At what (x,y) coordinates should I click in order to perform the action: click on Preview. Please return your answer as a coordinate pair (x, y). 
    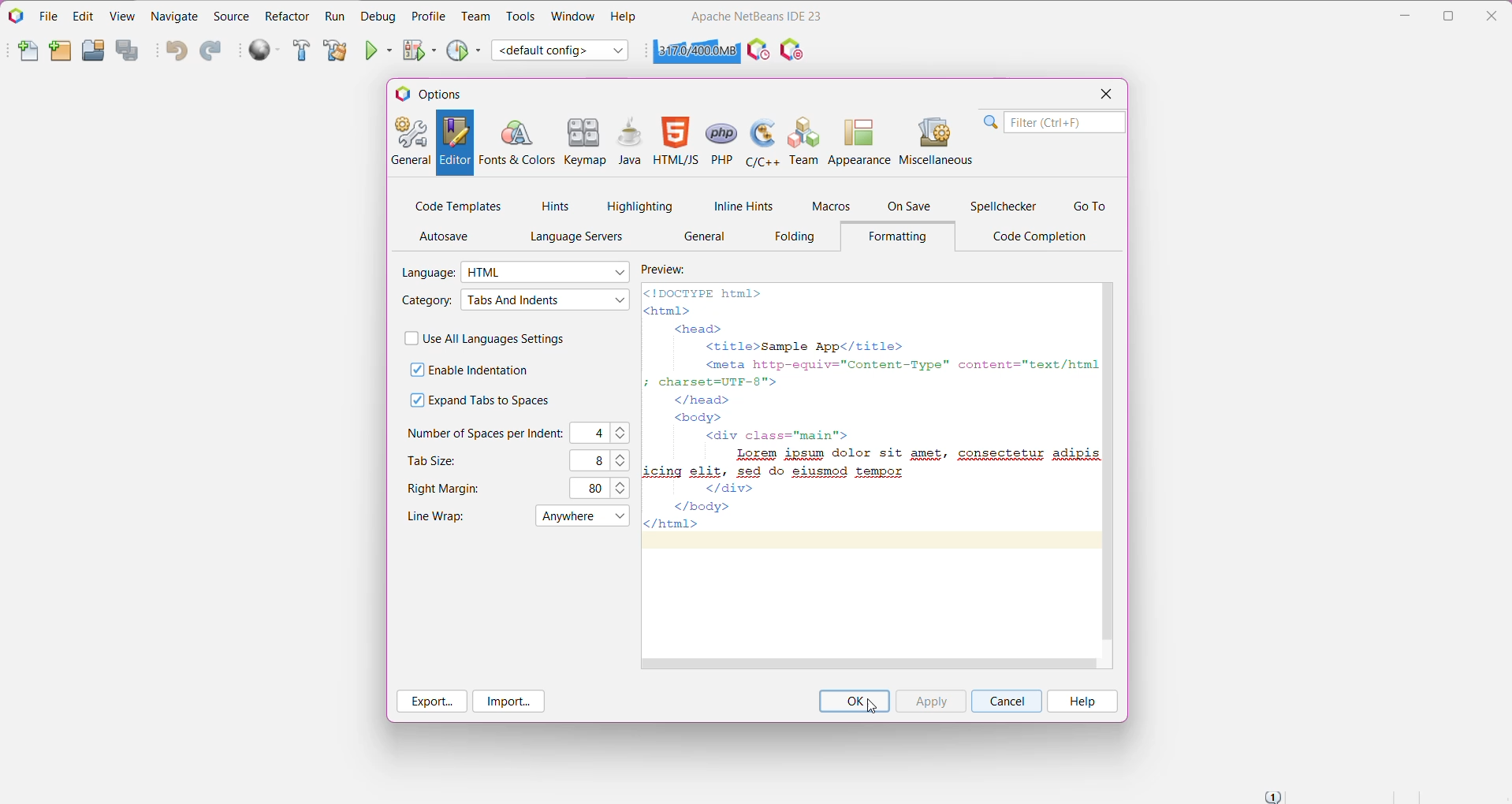
    Looking at the image, I should click on (673, 269).